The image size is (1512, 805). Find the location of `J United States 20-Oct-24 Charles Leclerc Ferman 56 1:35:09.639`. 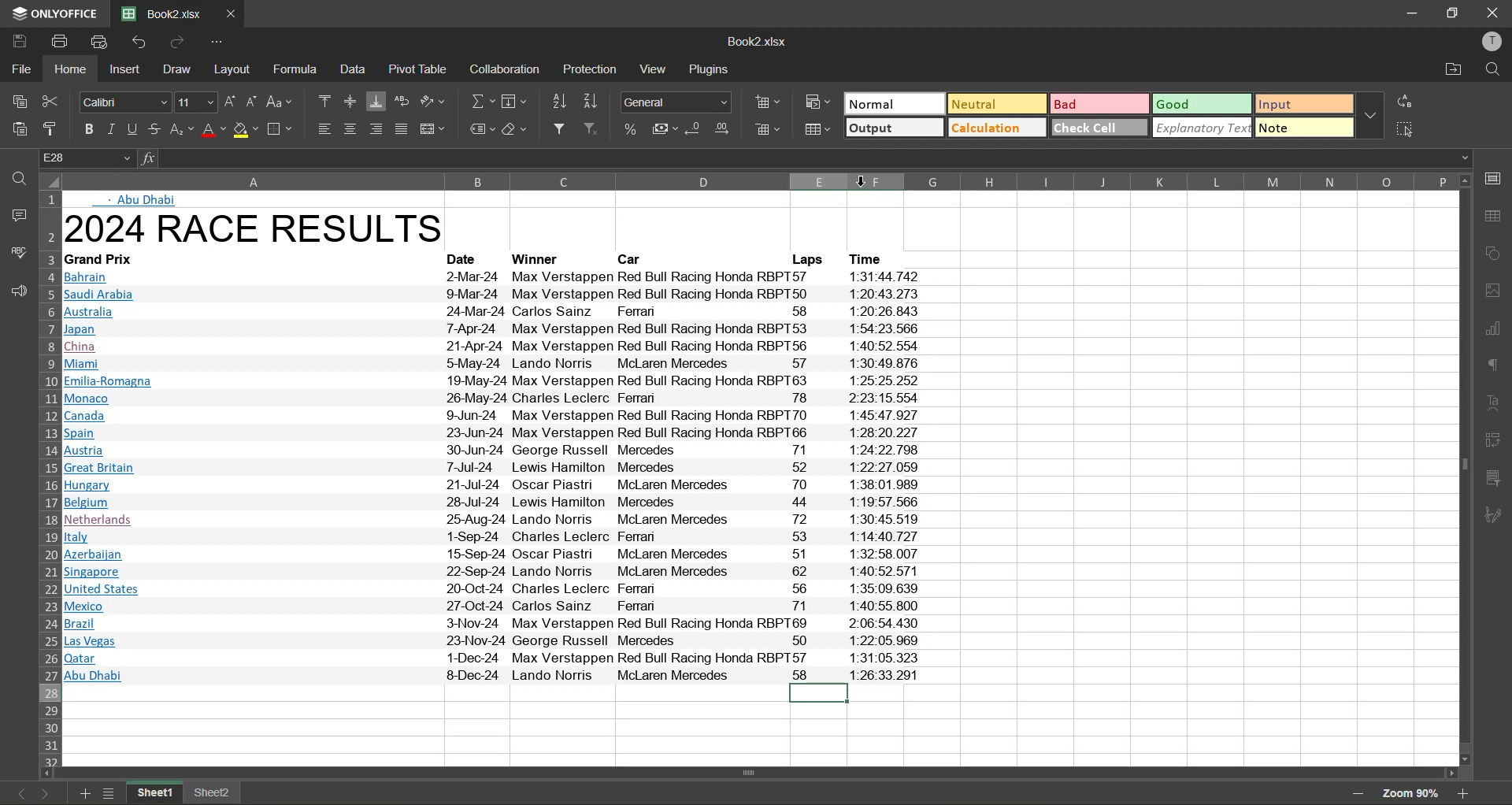

J United States 20-Oct-24 Charles Leclerc Ferman 56 1:35:09.639 is located at coordinates (498, 587).